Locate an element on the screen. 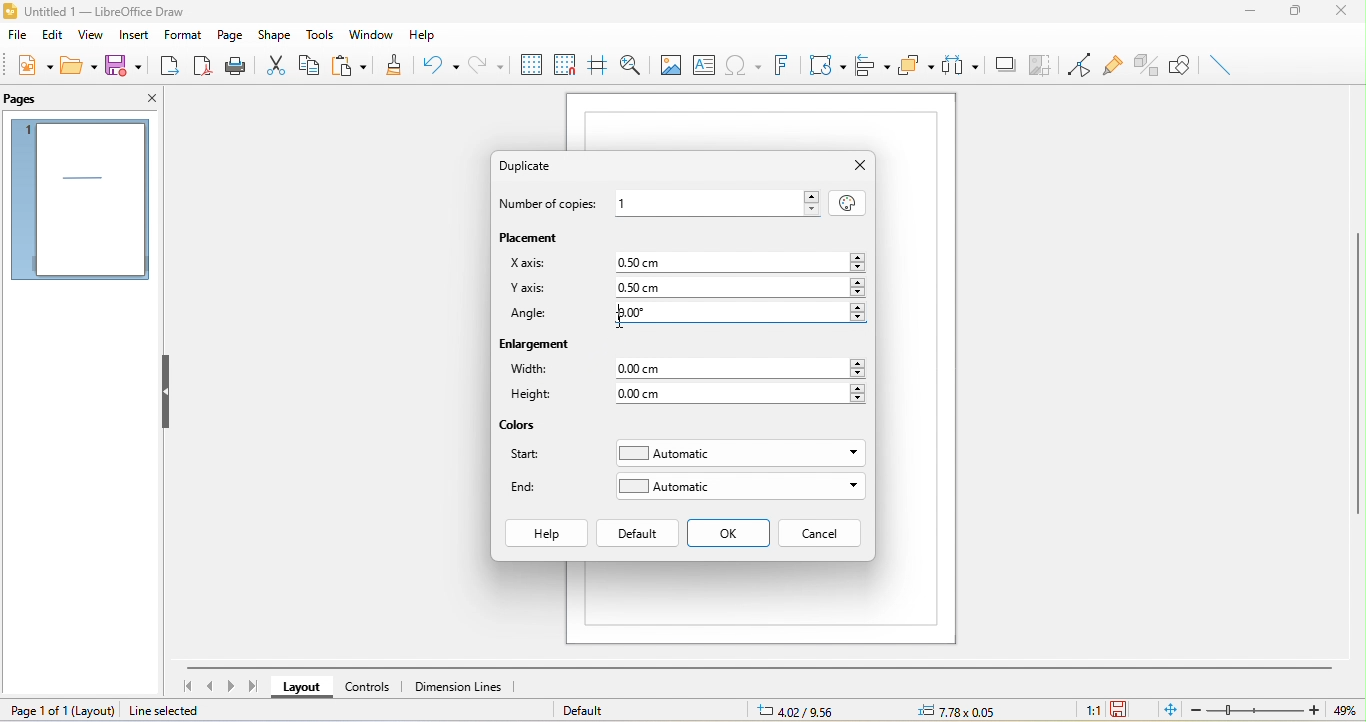 The image size is (1366, 722). transformation is located at coordinates (825, 66).